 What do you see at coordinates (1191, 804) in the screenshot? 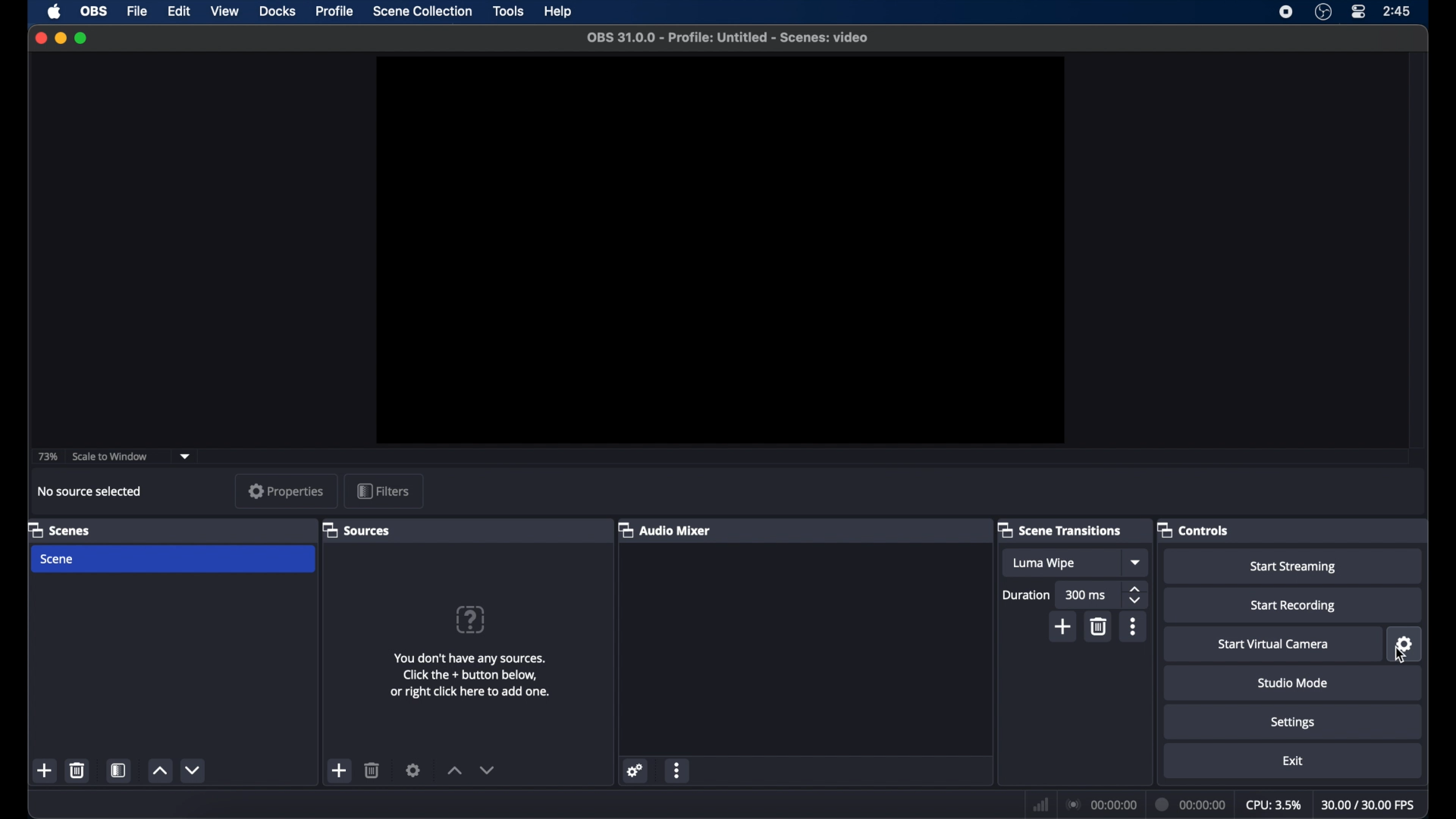
I see `duration` at bounding box center [1191, 804].